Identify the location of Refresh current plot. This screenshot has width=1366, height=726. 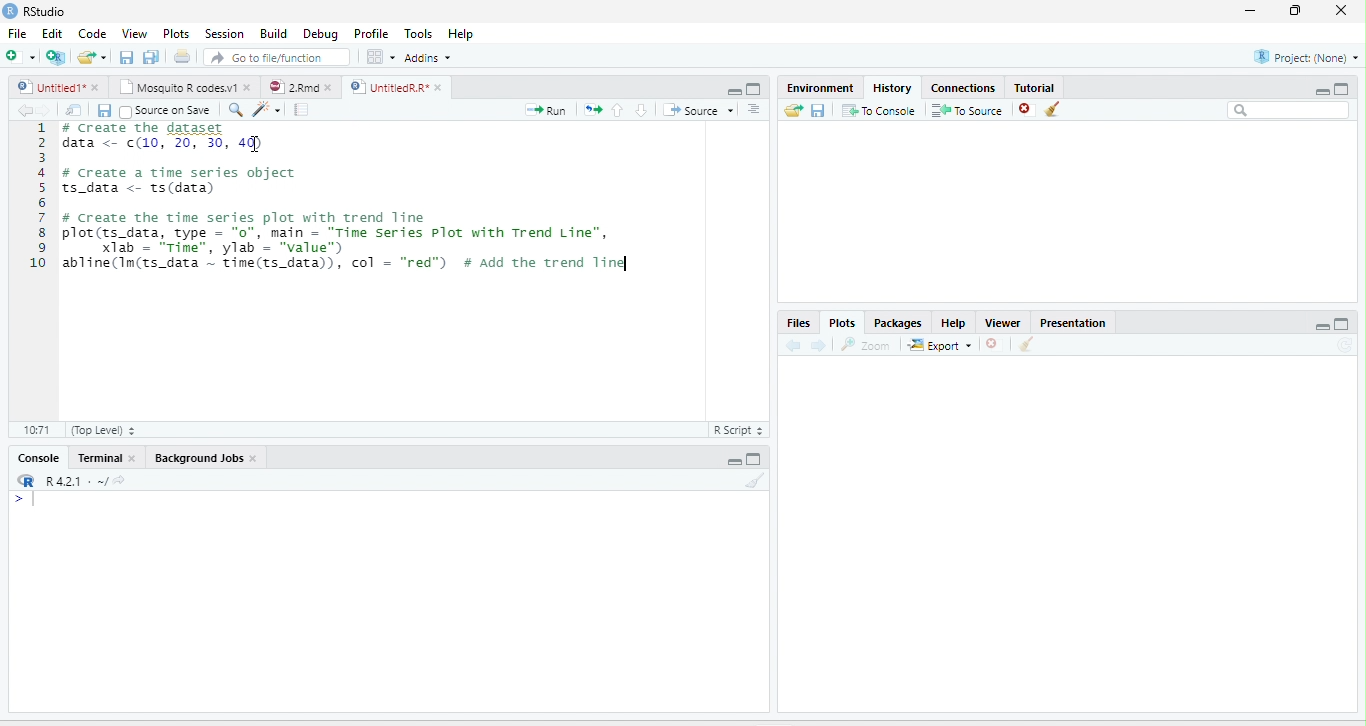
(1346, 345).